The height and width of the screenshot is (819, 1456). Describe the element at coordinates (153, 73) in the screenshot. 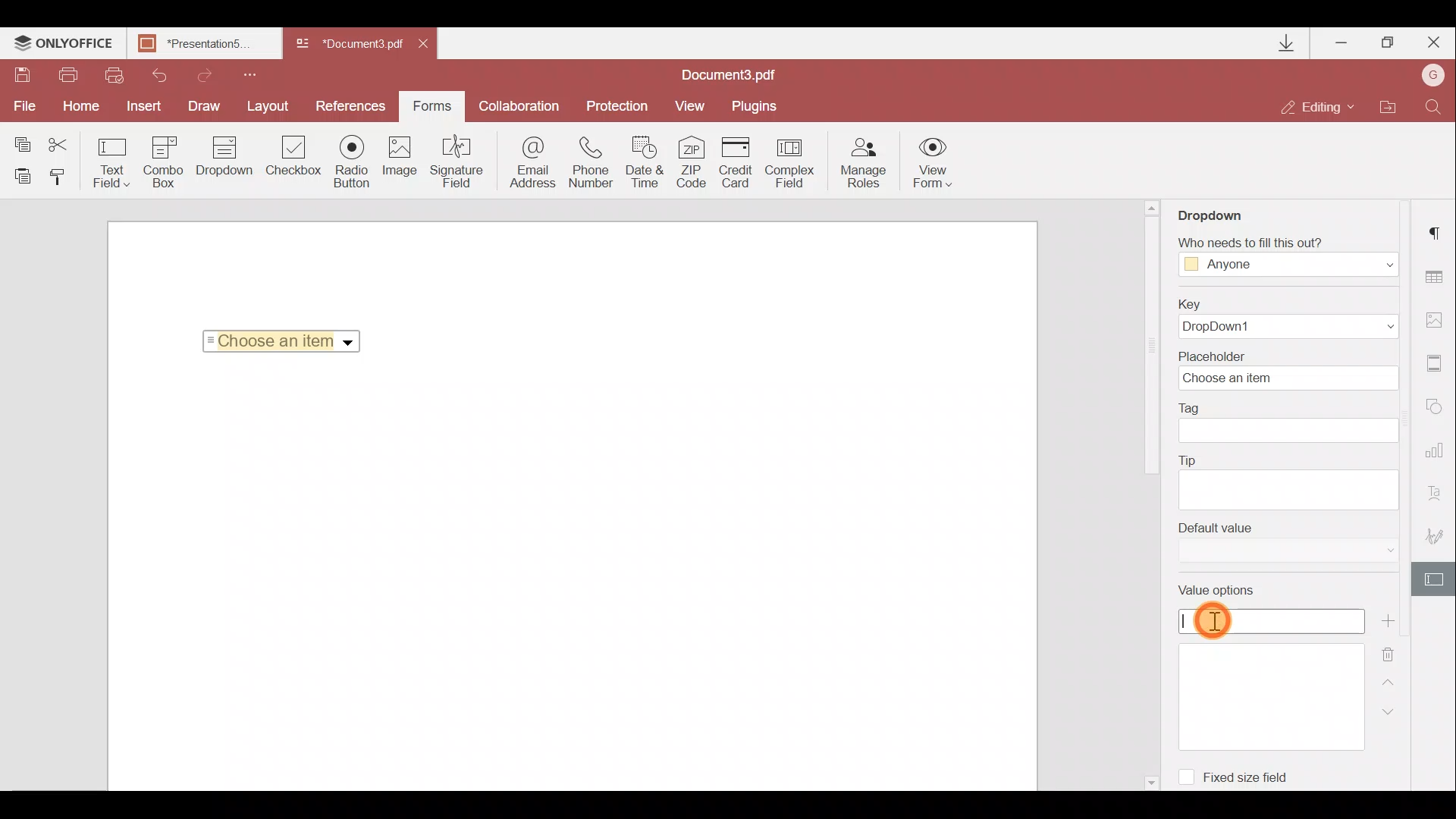

I see `Undo` at that location.